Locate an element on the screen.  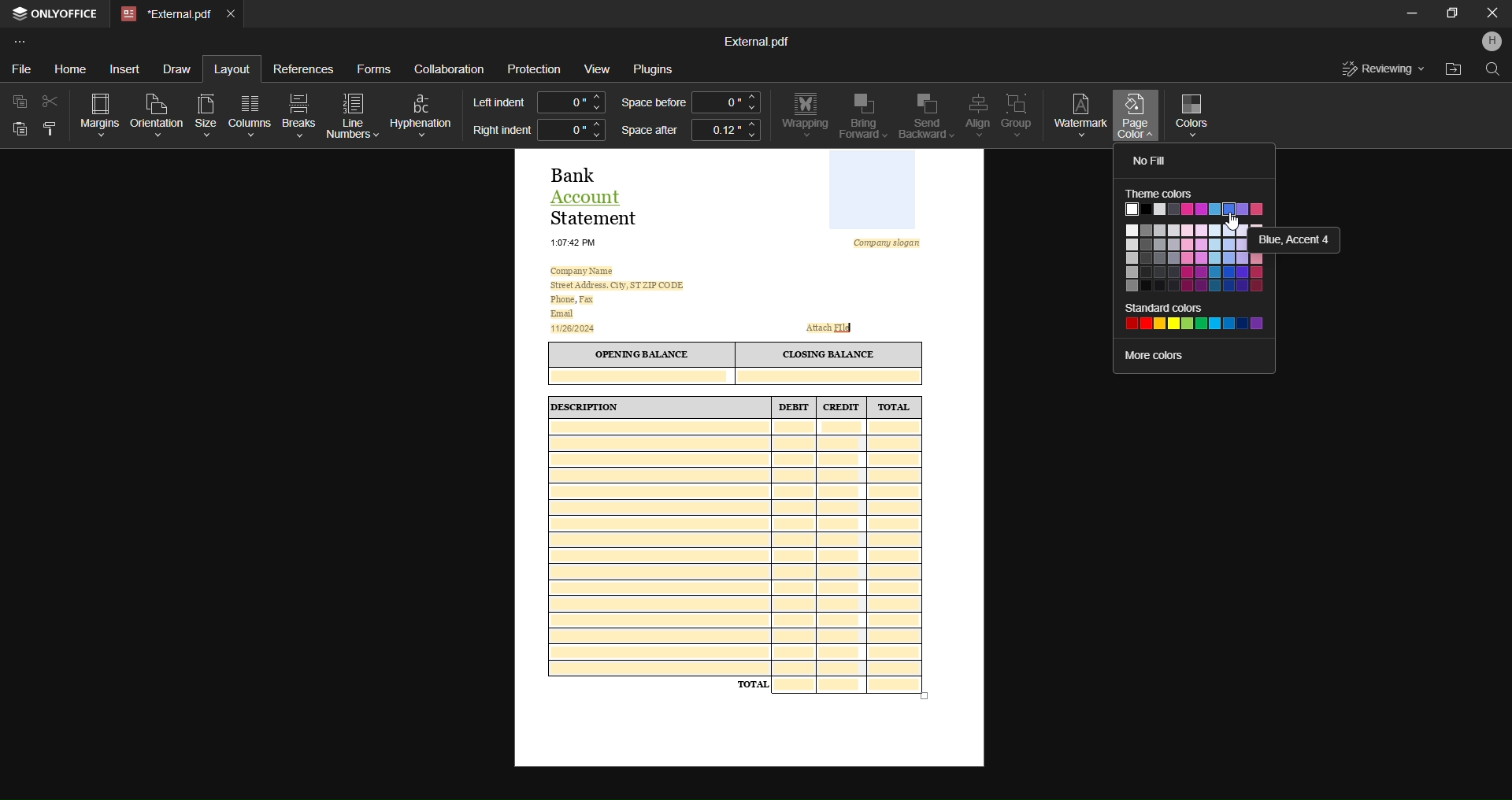
Cut is located at coordinates (48, 100).